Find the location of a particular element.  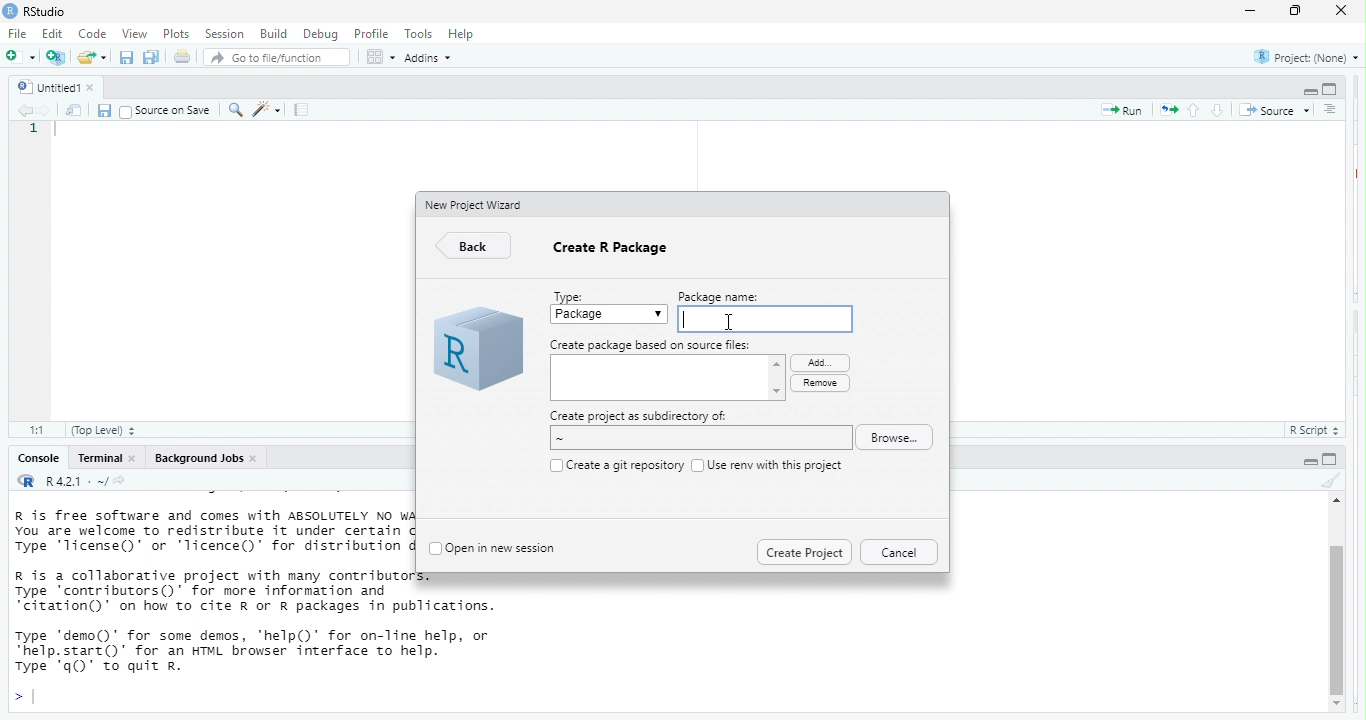

Create R Package is located at coordinates (614, 252).